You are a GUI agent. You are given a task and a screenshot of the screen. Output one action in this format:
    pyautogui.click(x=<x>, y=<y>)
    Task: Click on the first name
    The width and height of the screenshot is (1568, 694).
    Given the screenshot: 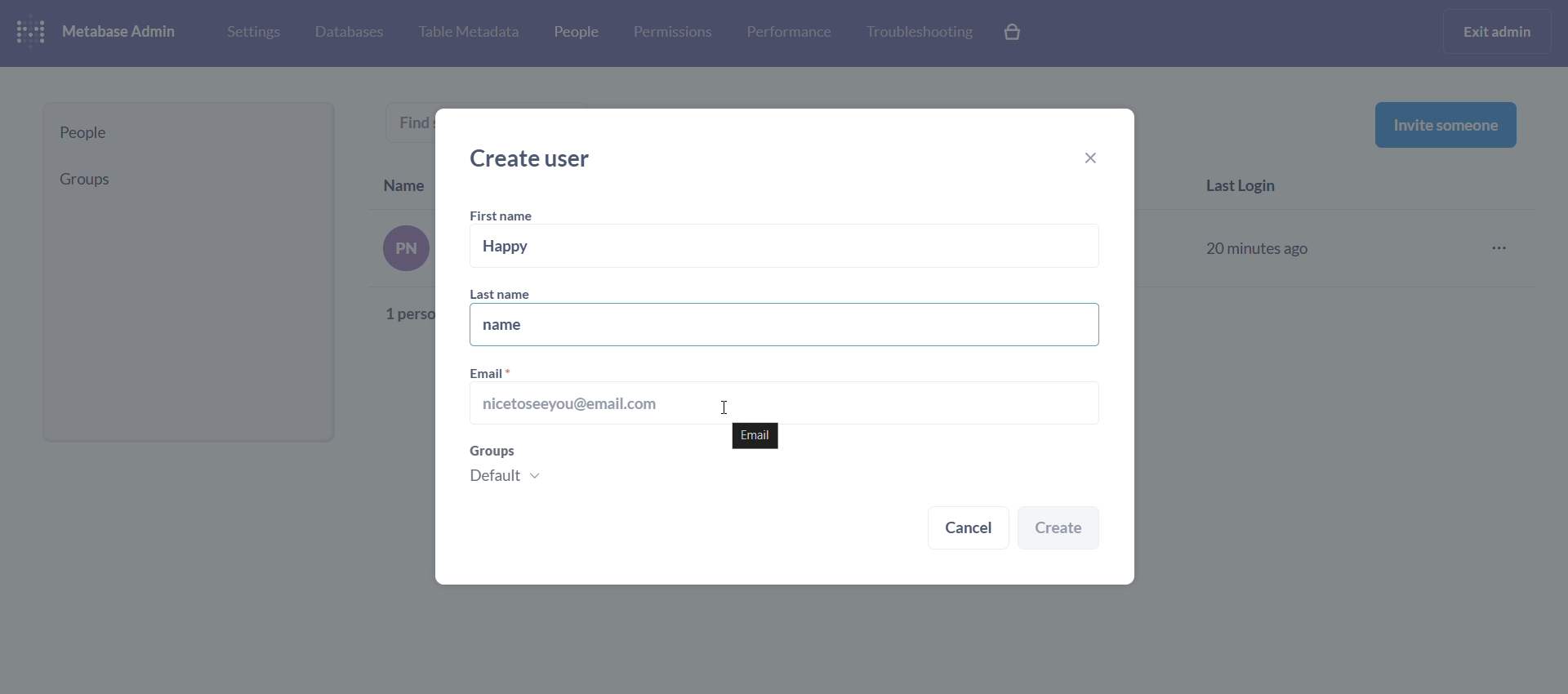 What is the action you would take?
    pyautogui.click(x=505, y=216)
    